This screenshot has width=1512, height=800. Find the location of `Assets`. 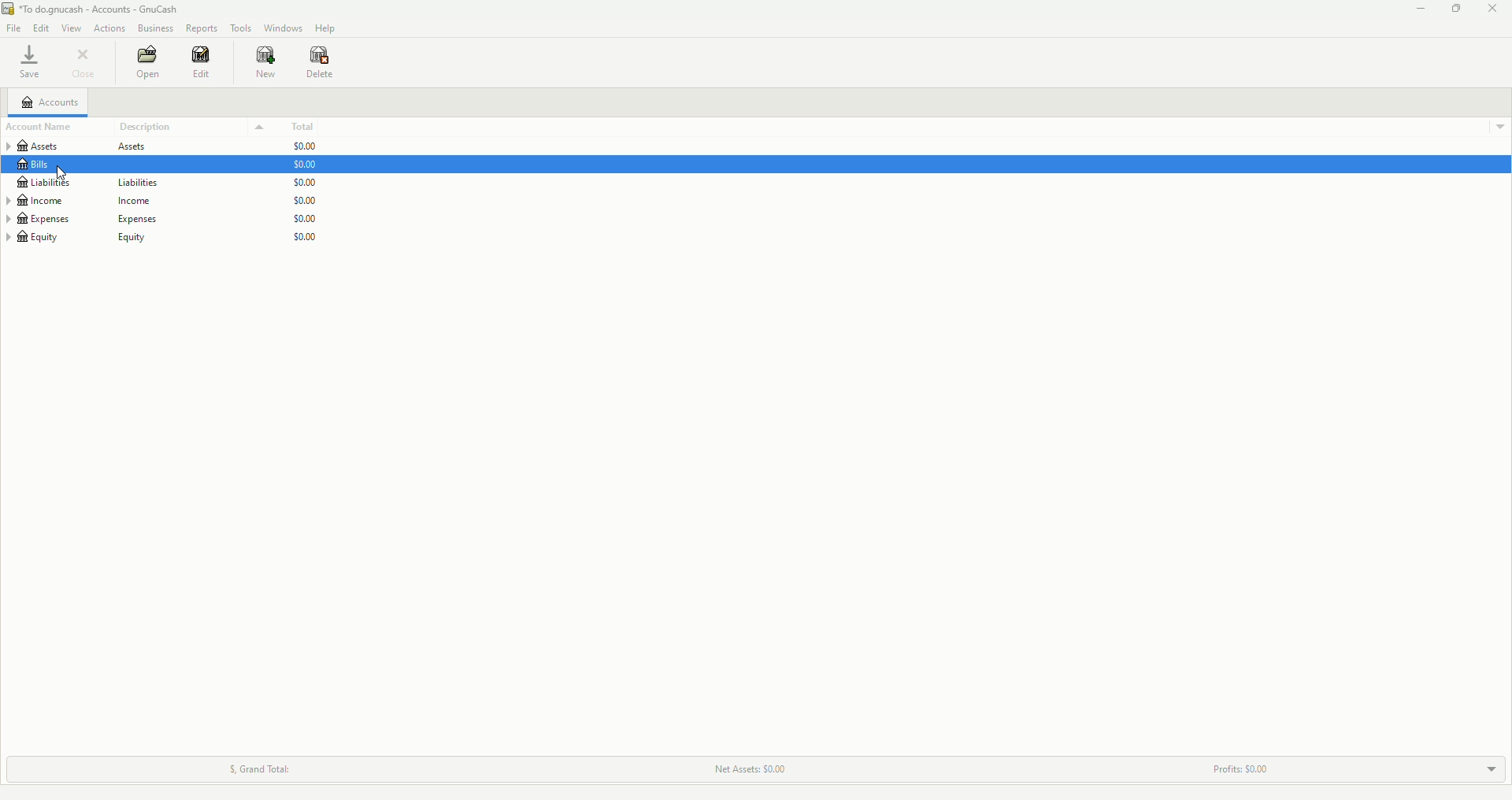

Assets is located at coordinates (89, 147).